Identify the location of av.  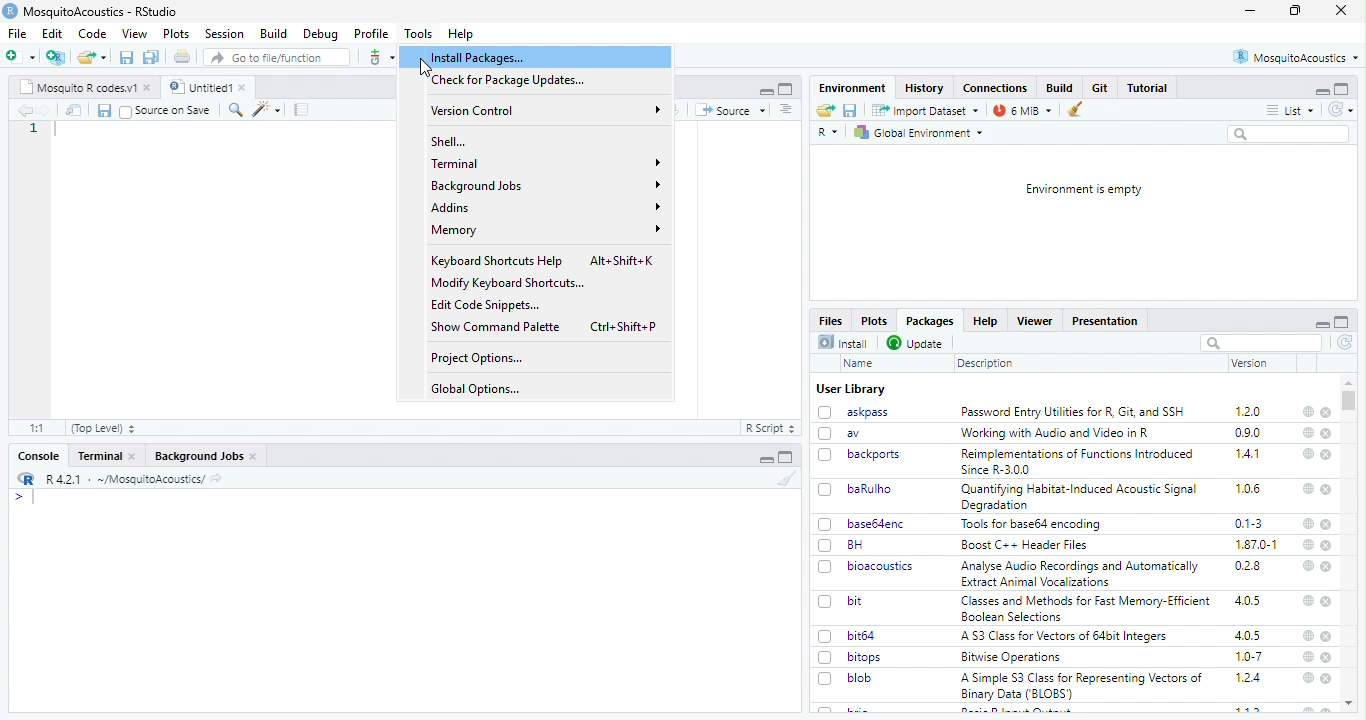
(854, 433).